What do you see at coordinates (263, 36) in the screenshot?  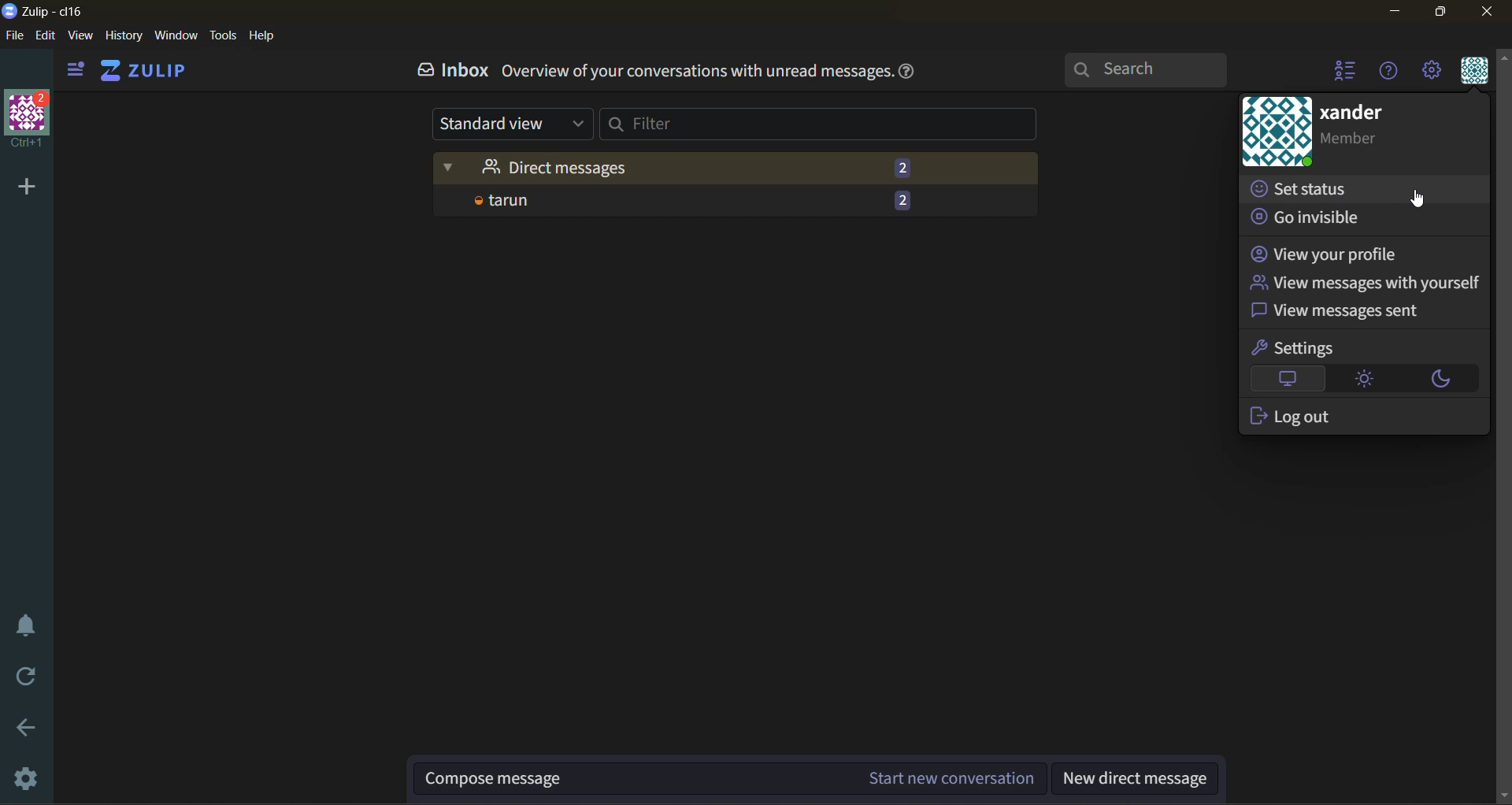 I see `help` at bounding box center [263, 36].